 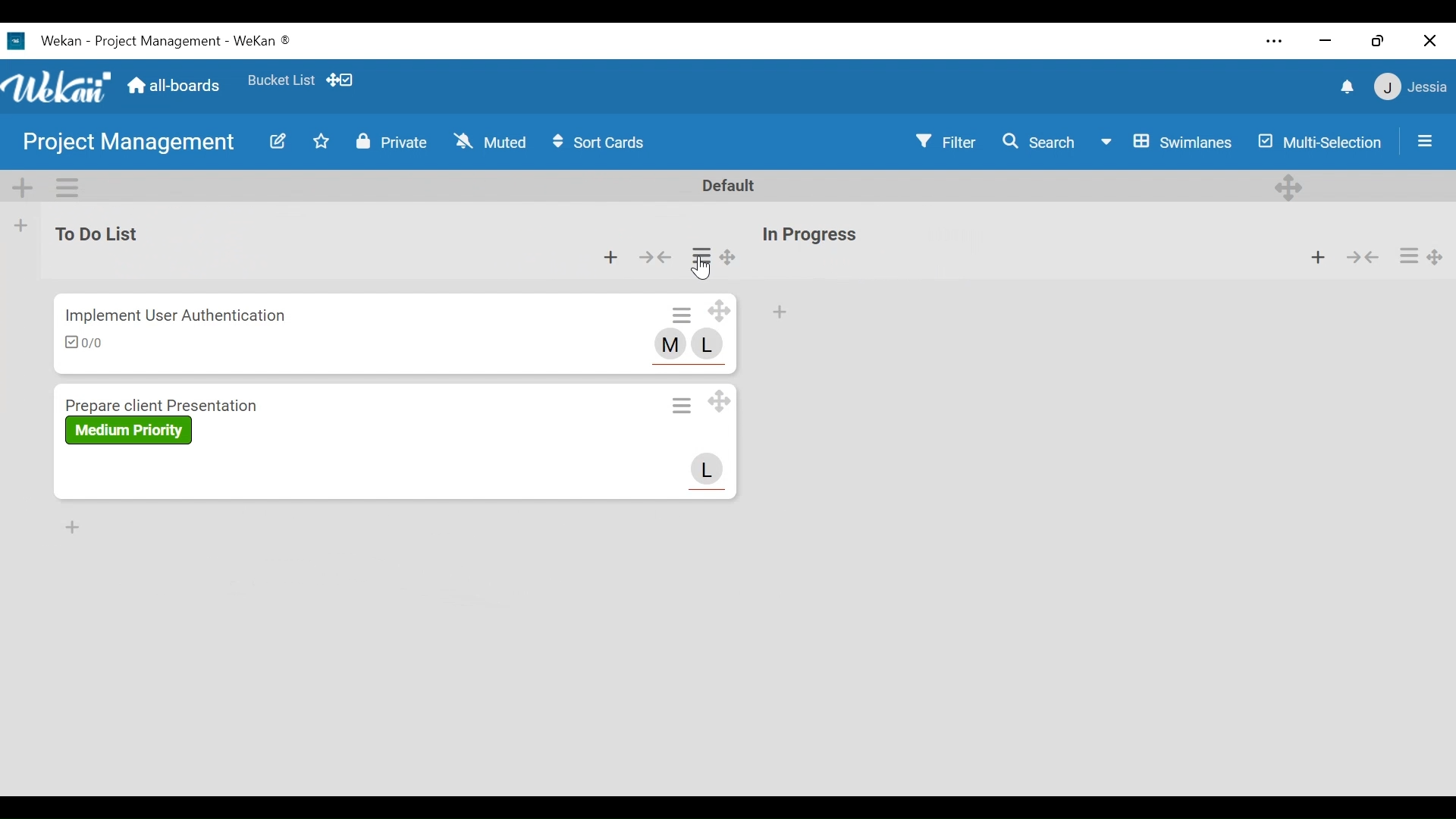 I want to click on Wekan - Project Management - WeKan ®, so click(x=169, y=41).